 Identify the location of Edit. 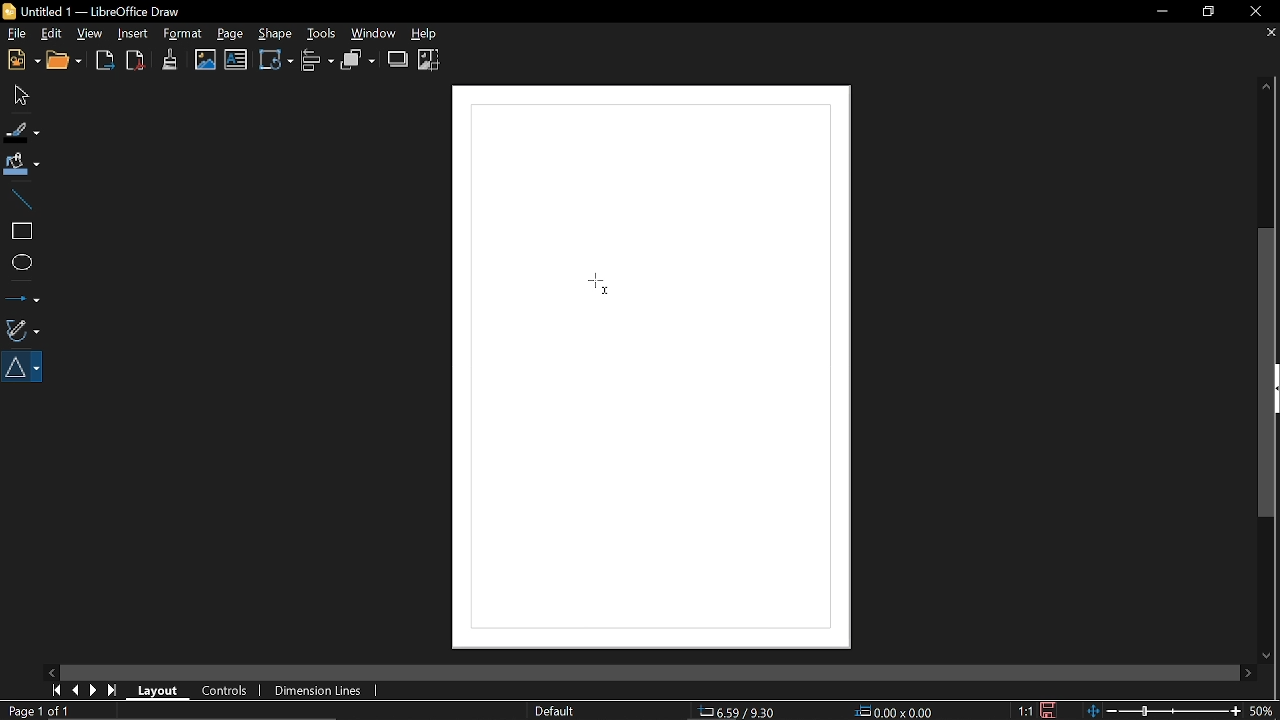
(51, 35).